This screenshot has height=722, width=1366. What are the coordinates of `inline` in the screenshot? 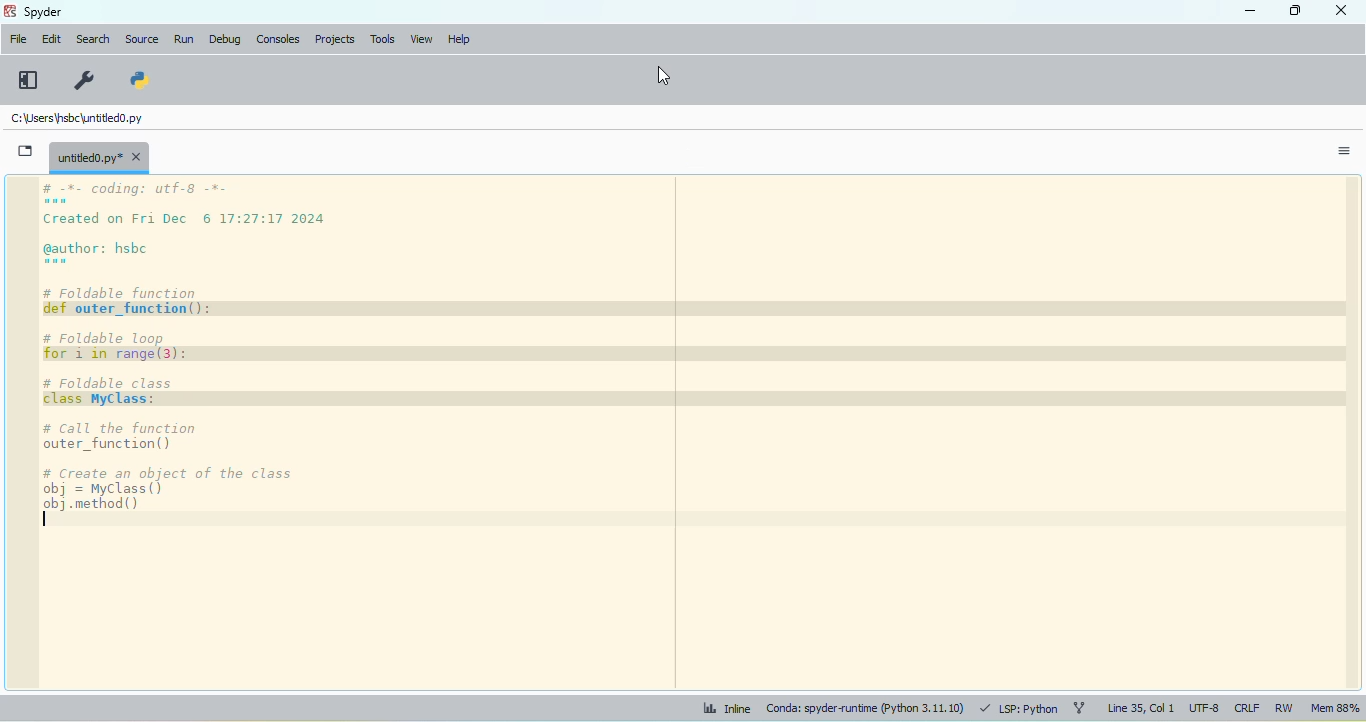 It's located at (725, 708).